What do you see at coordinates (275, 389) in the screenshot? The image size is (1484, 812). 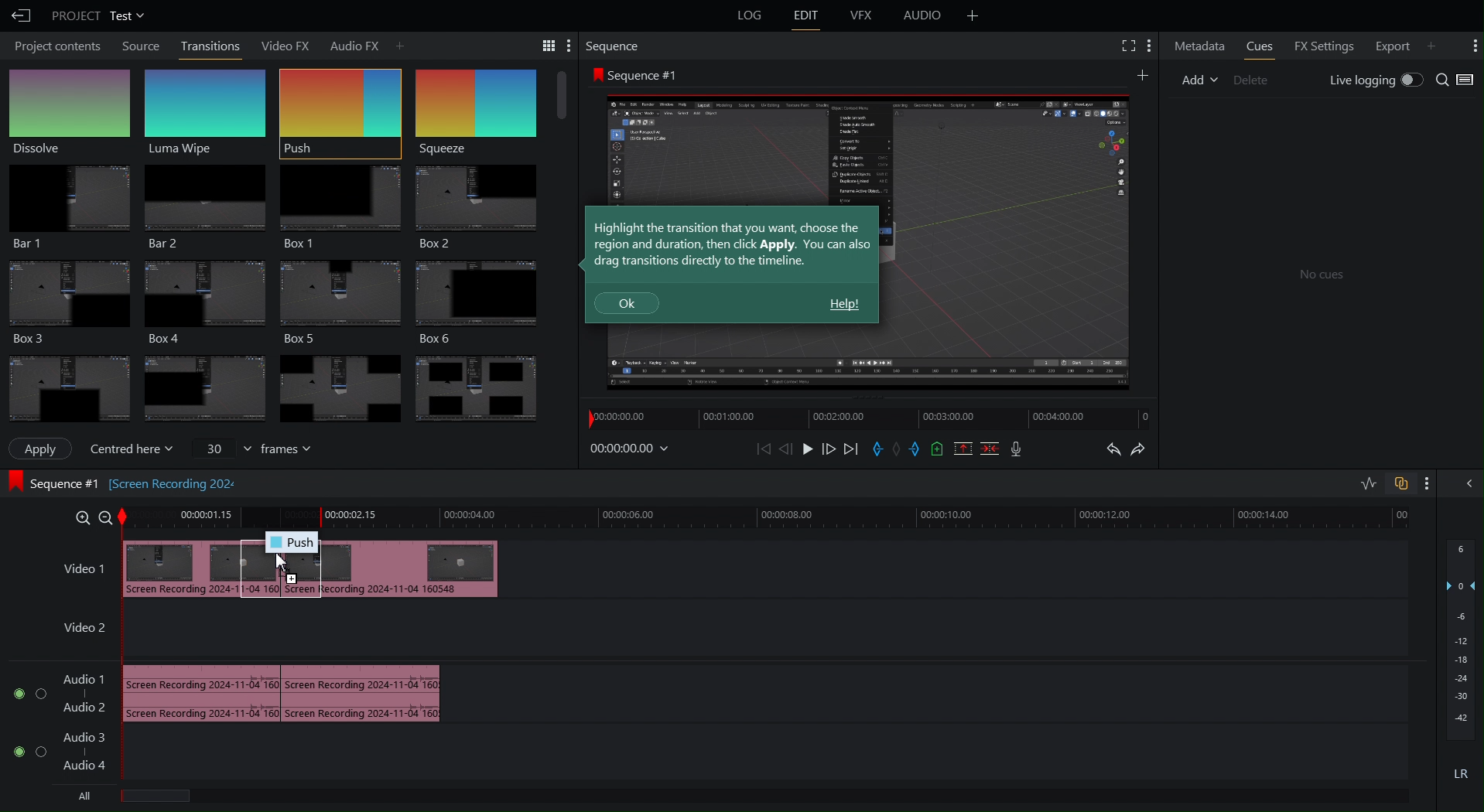 I see `Transitions` at bounding box center [275, 389].